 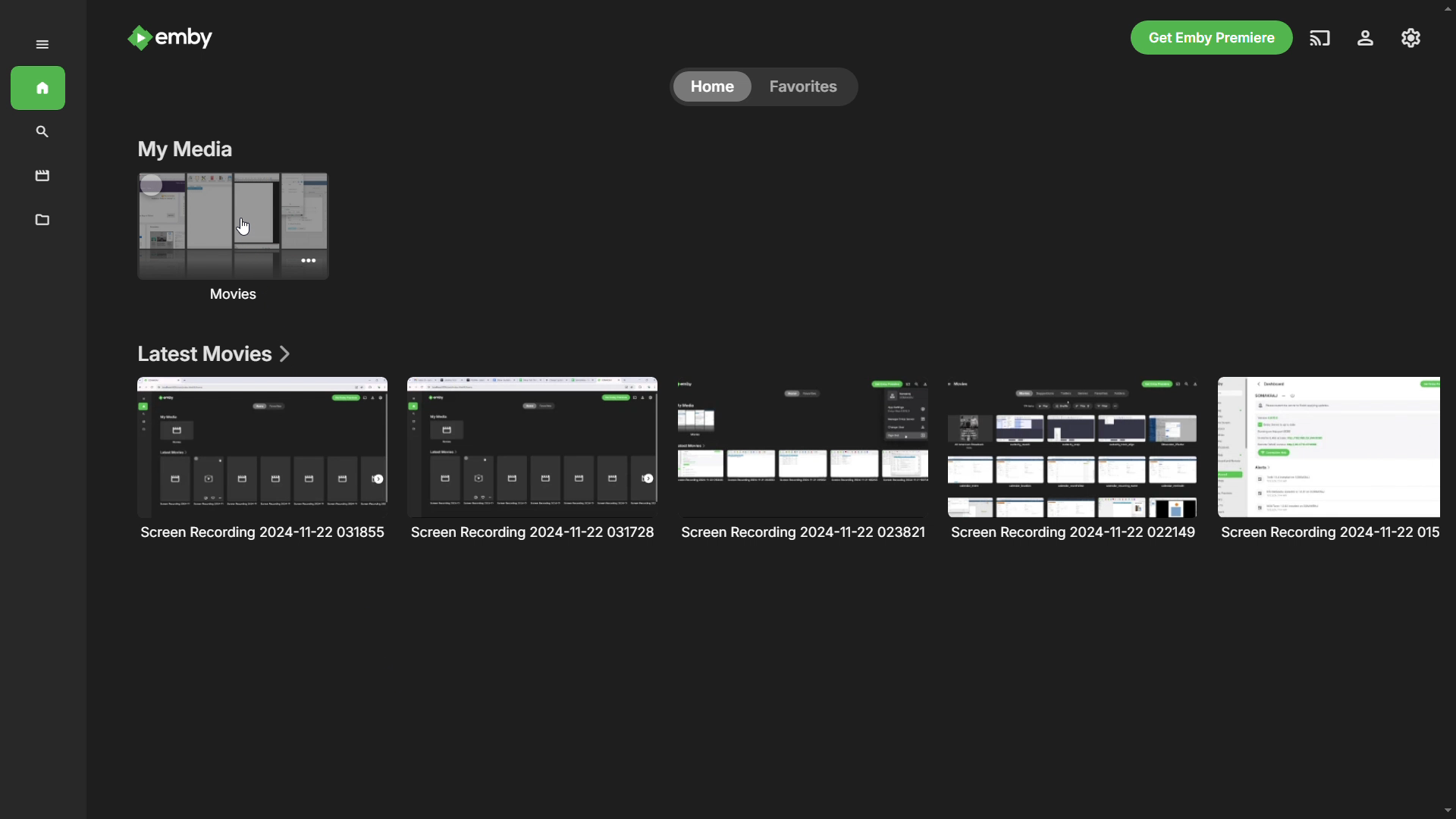 I want to click on , so click(x=532, y=459).